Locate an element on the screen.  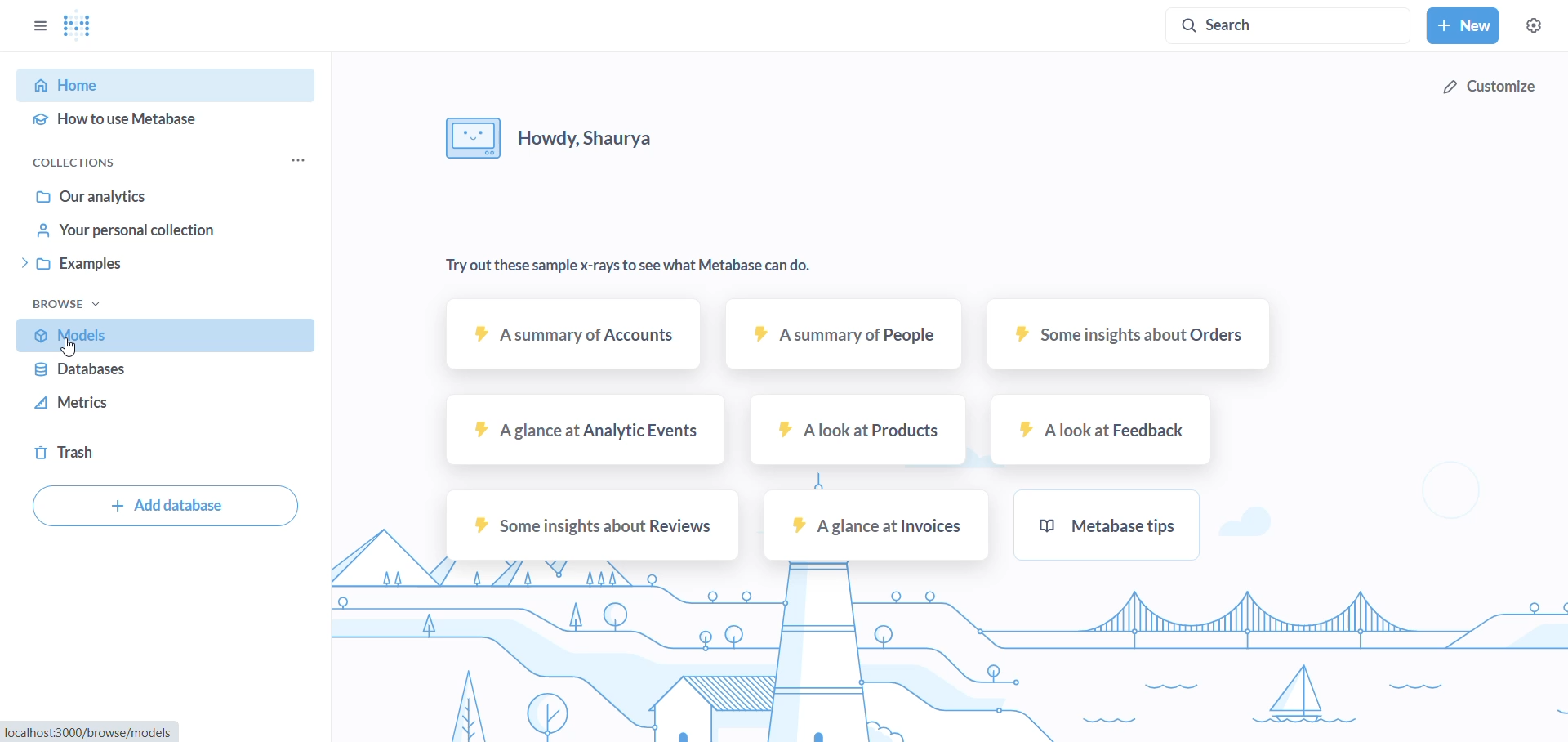
A summary of people sample is located at coordinates (847, 337).